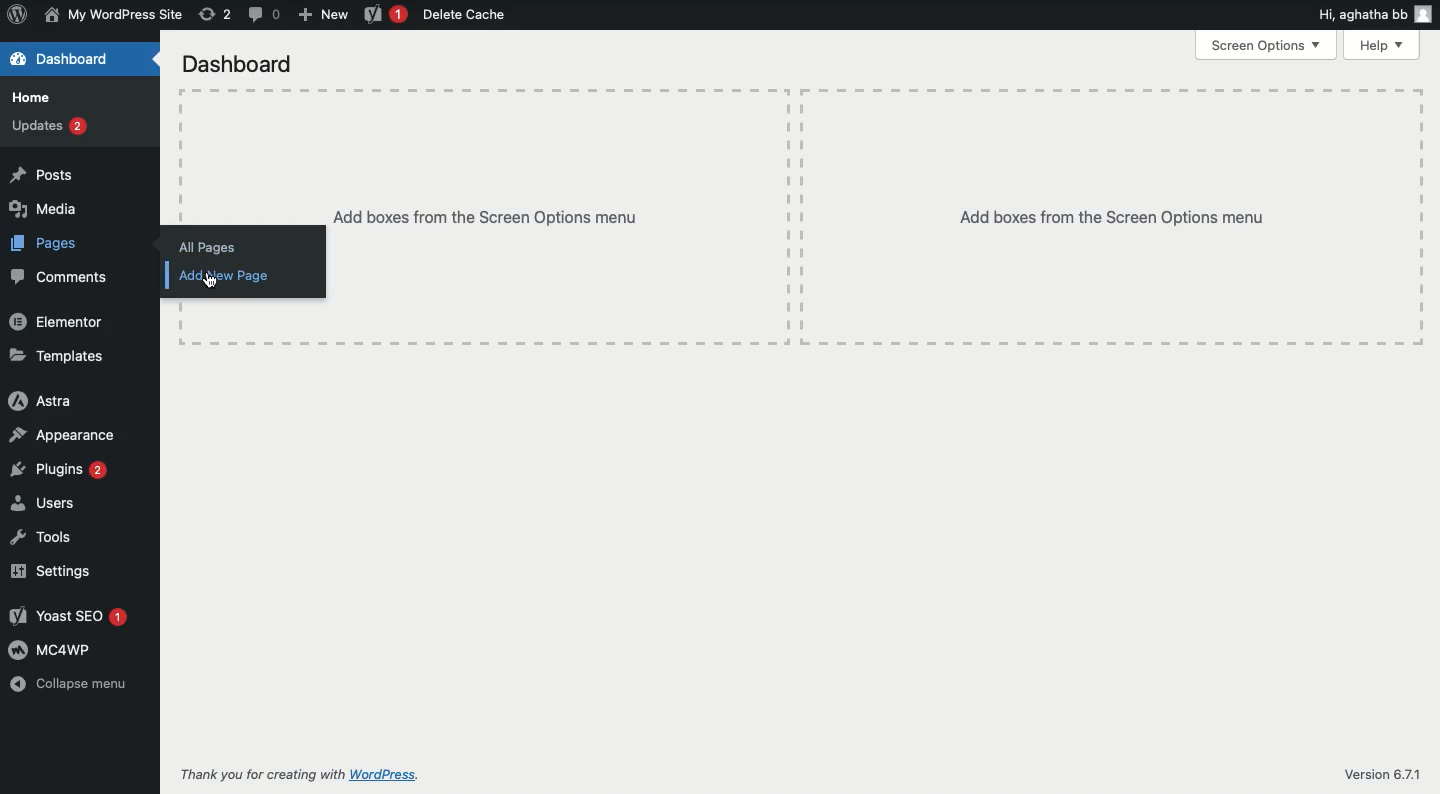  I want to click on Comments, so click(59, 276).